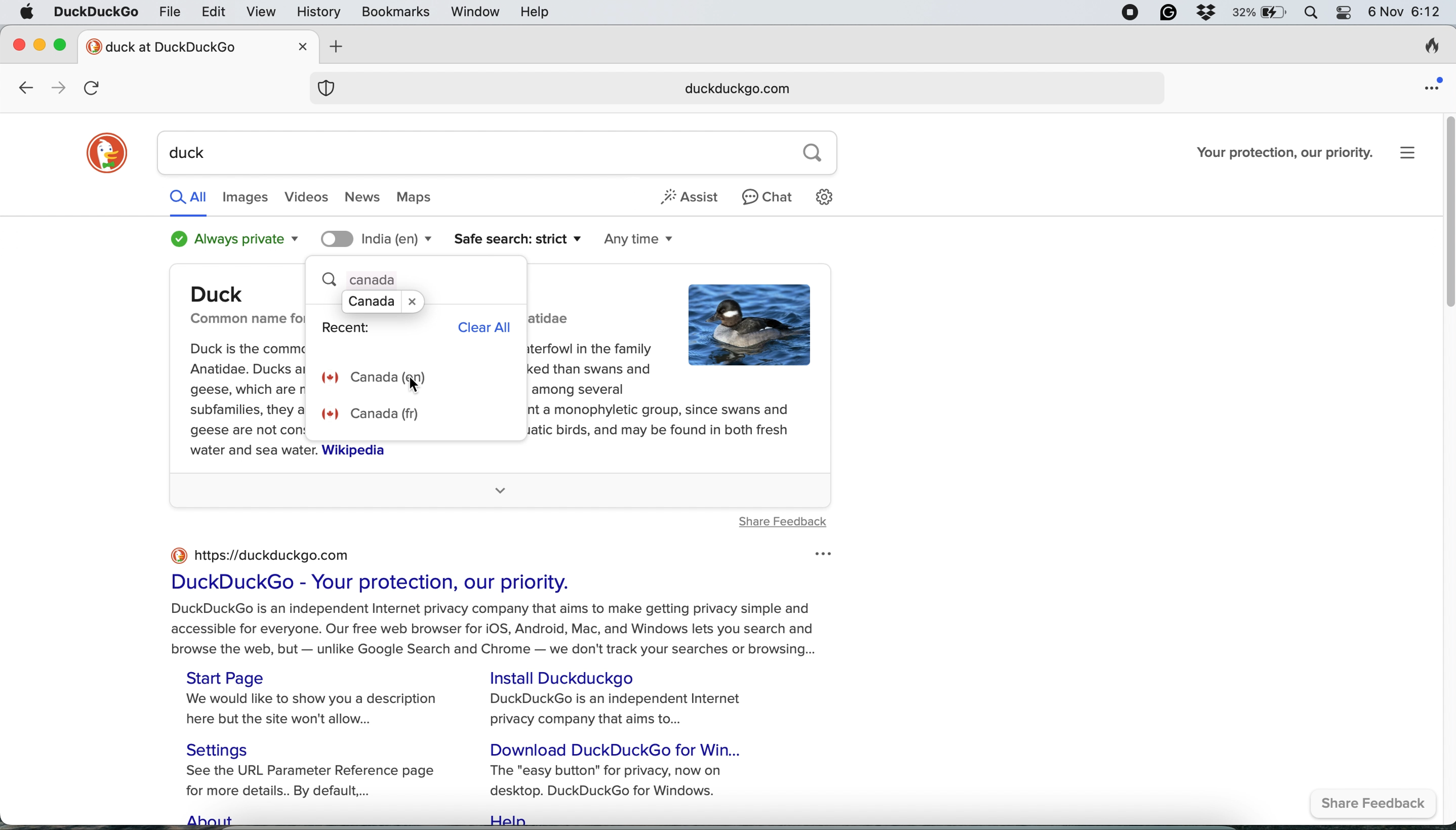  What do you see at coordinates (319, 782) in the screenshot?
I see `See the URL Parameter Reference page
for more details.. By default,...` at bounding box center [319, 782].